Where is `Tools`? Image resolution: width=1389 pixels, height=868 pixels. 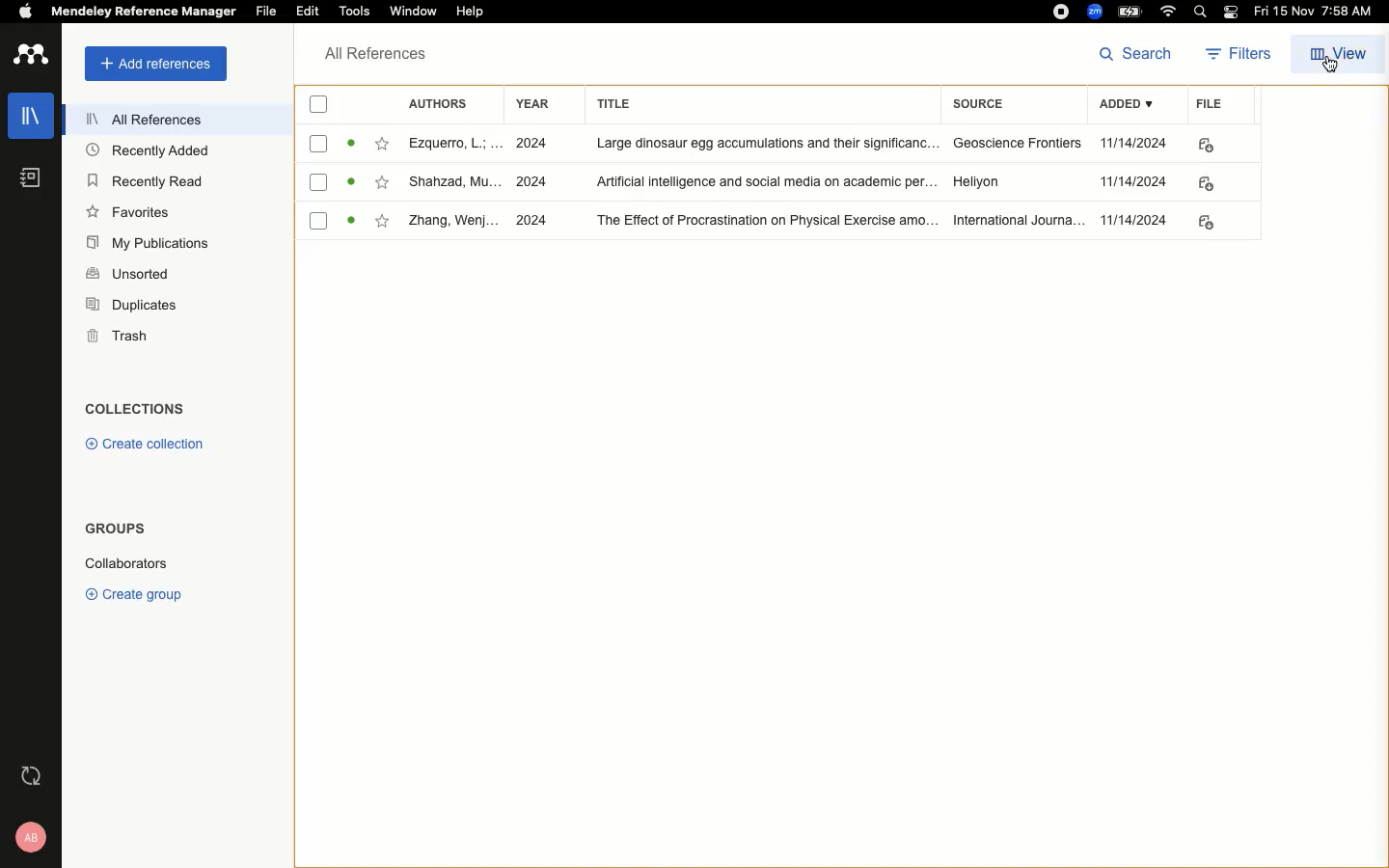 Tools is located at coordinates (356, 13).